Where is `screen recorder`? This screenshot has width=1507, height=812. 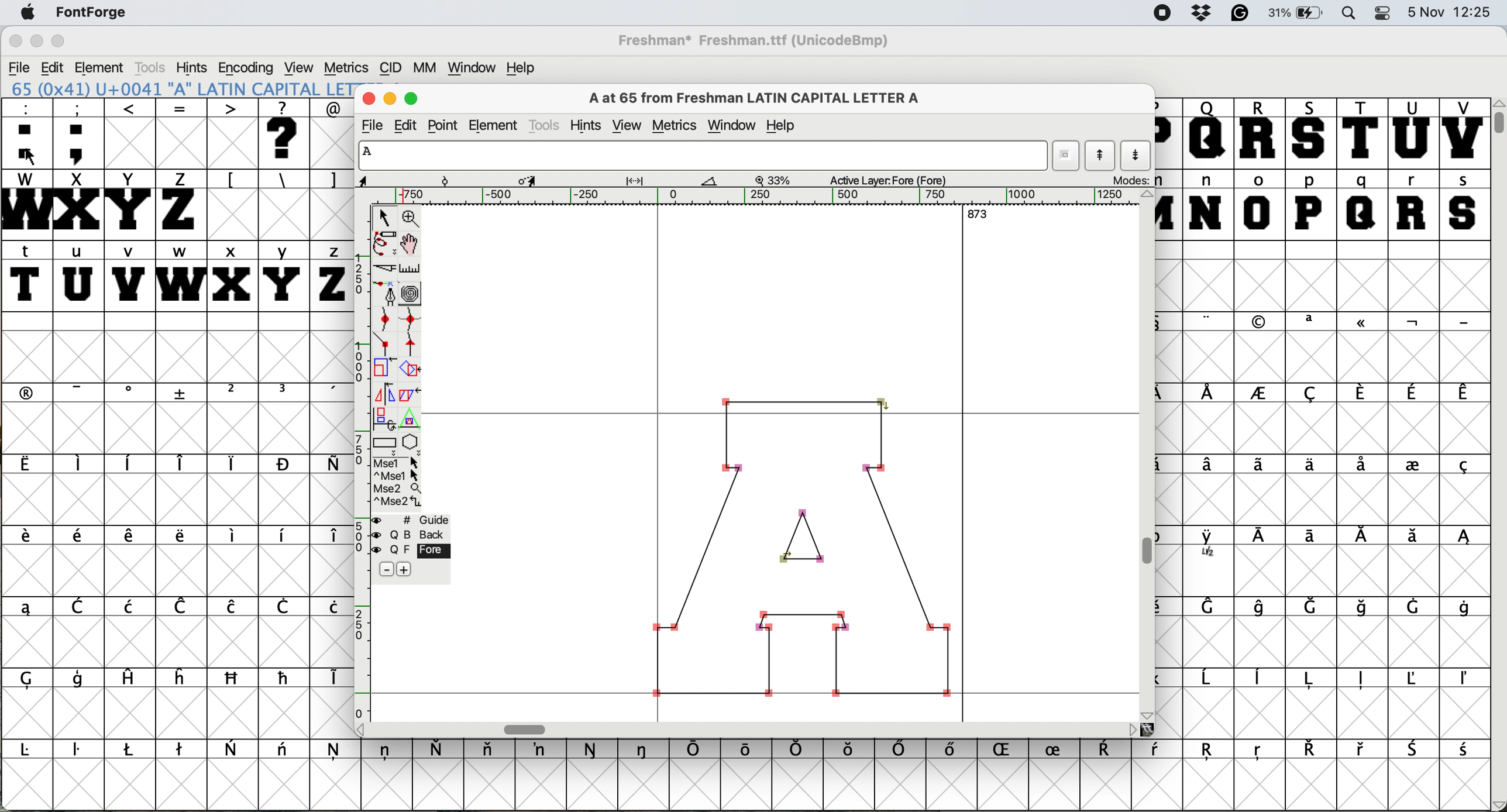
screen recorder is located at coordinates (1159, 13).